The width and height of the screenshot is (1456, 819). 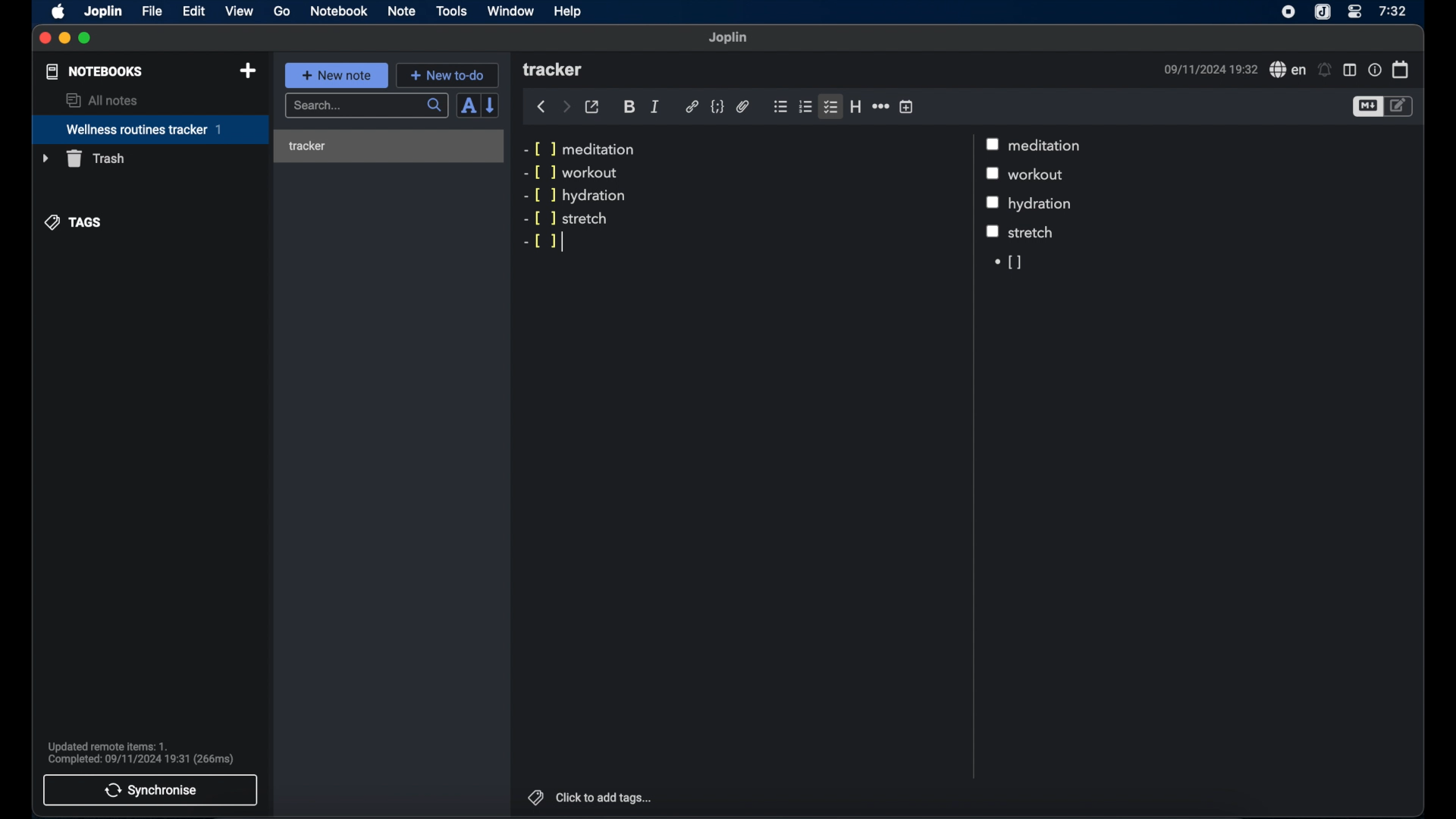 I want to click on toggle sort order field, so click(x=468, y=105).